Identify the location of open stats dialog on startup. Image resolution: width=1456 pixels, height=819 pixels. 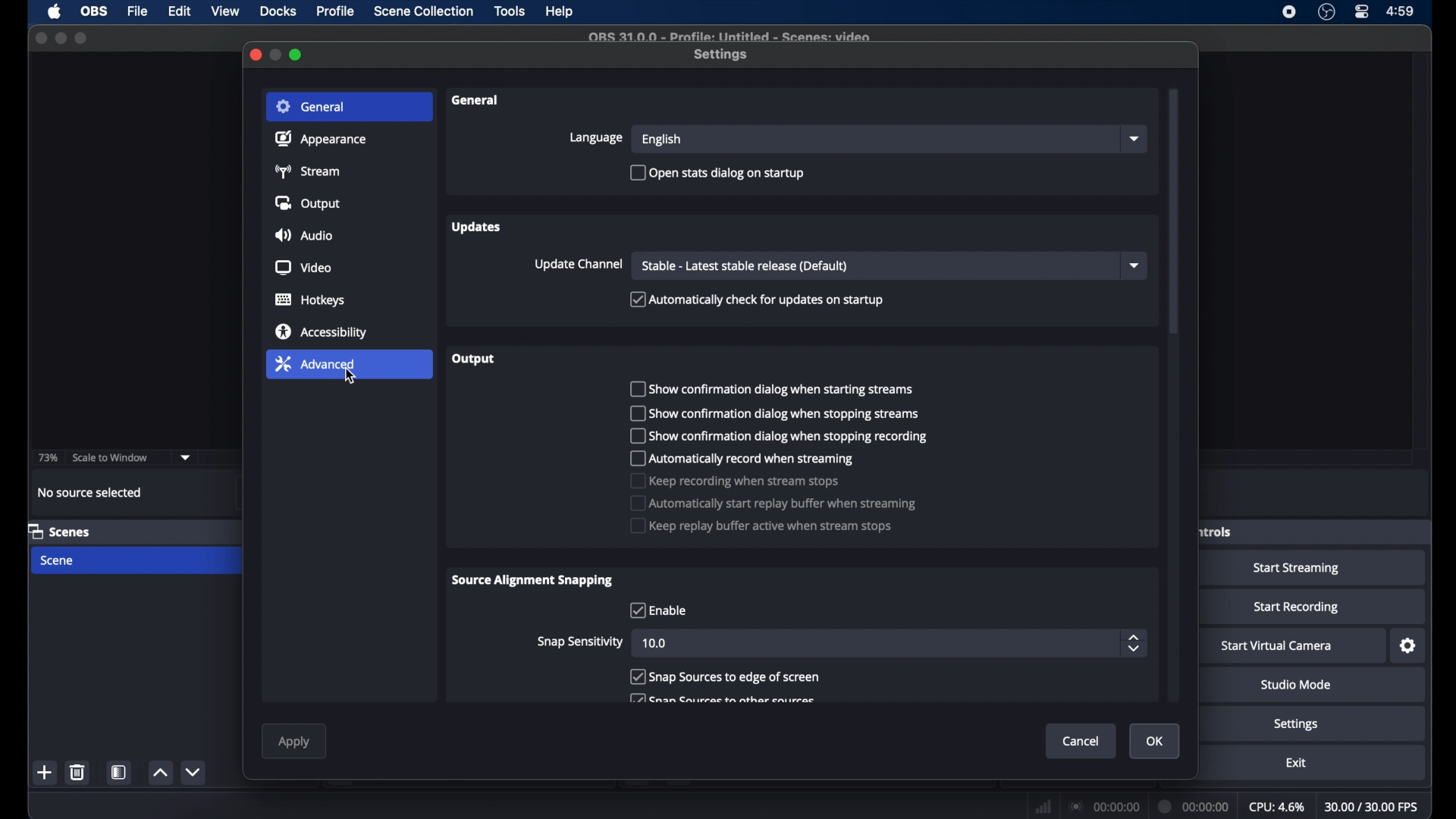
(718, 174).